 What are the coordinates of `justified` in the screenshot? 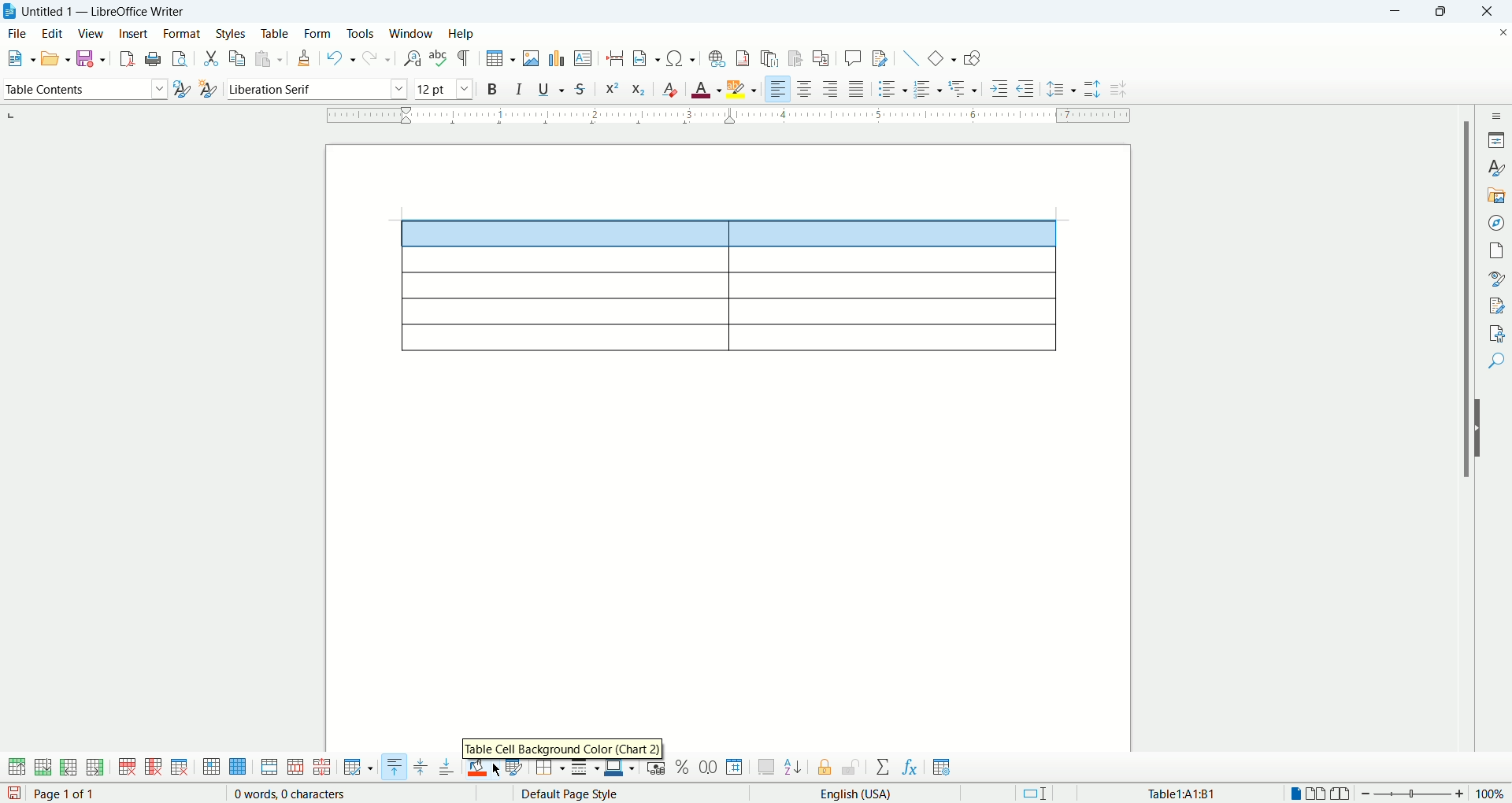 It's located at (857, 88).